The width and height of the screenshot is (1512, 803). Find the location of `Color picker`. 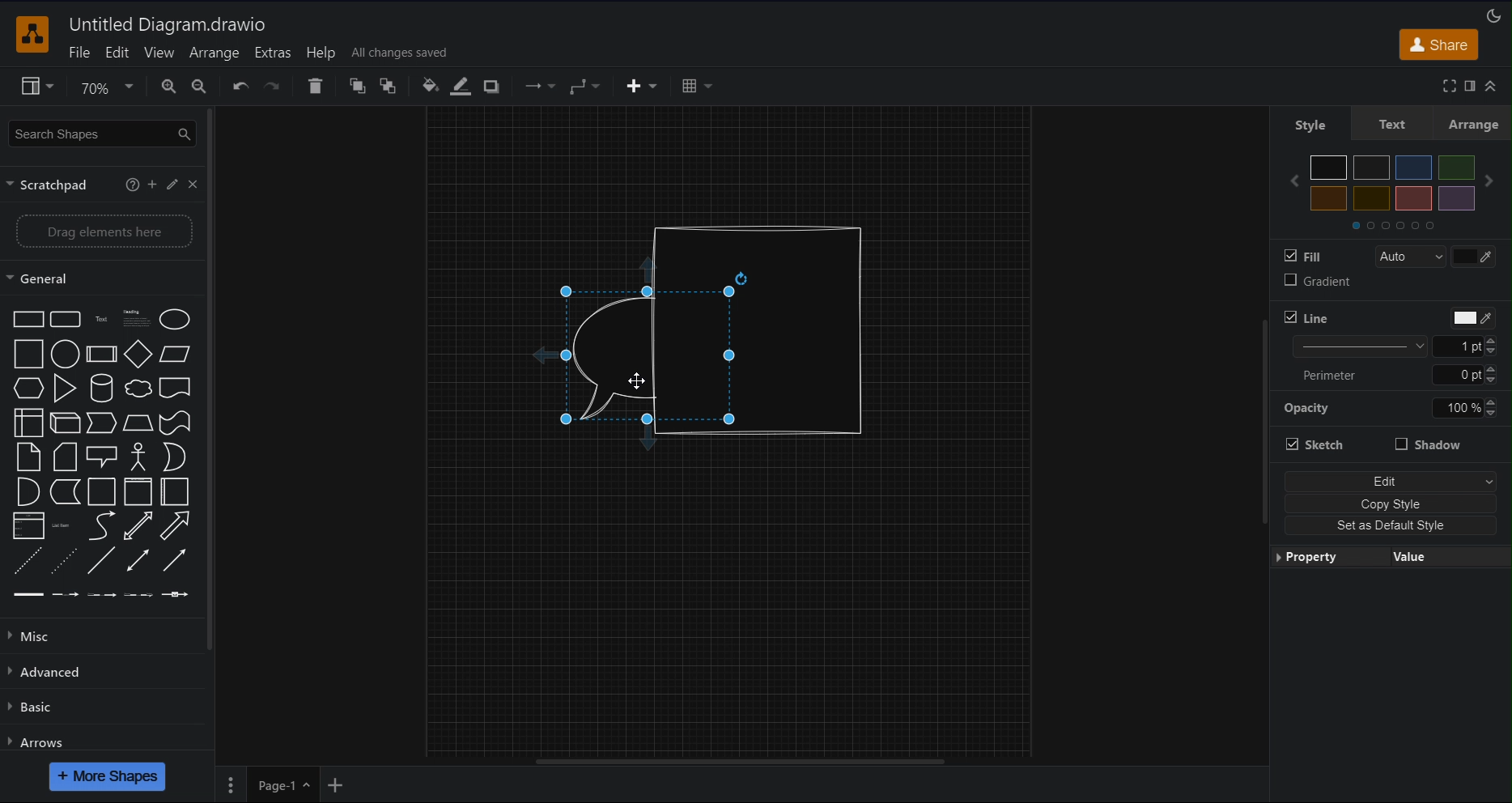

Color picker is located at coordinates (1473, 257).